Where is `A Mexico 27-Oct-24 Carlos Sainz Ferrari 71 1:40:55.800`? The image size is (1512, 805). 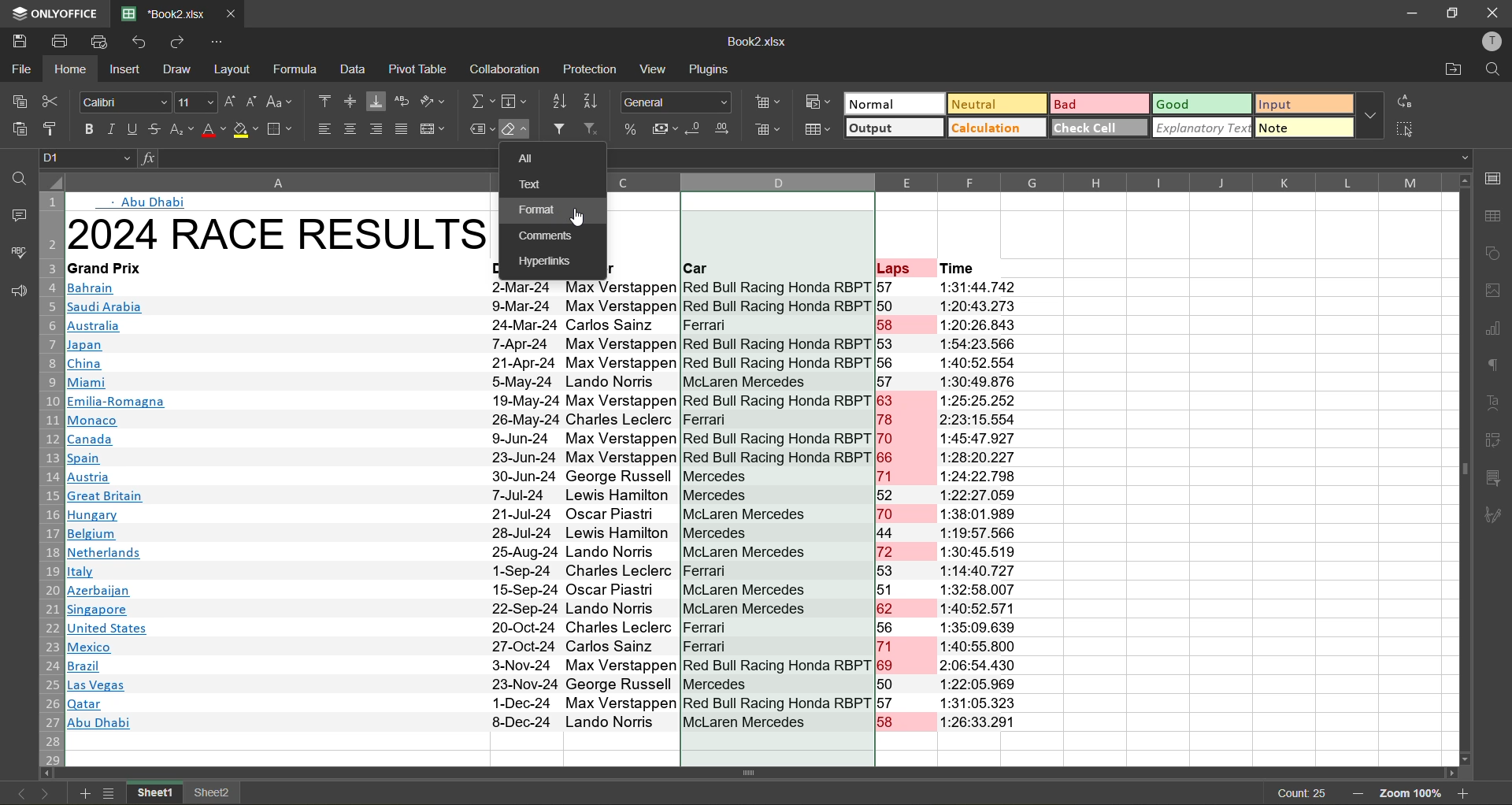 A Mexico 27-Oct-24 Carlos Sainz Ferrari 71 1:40:55.800 is located at coordinates (543, 647).